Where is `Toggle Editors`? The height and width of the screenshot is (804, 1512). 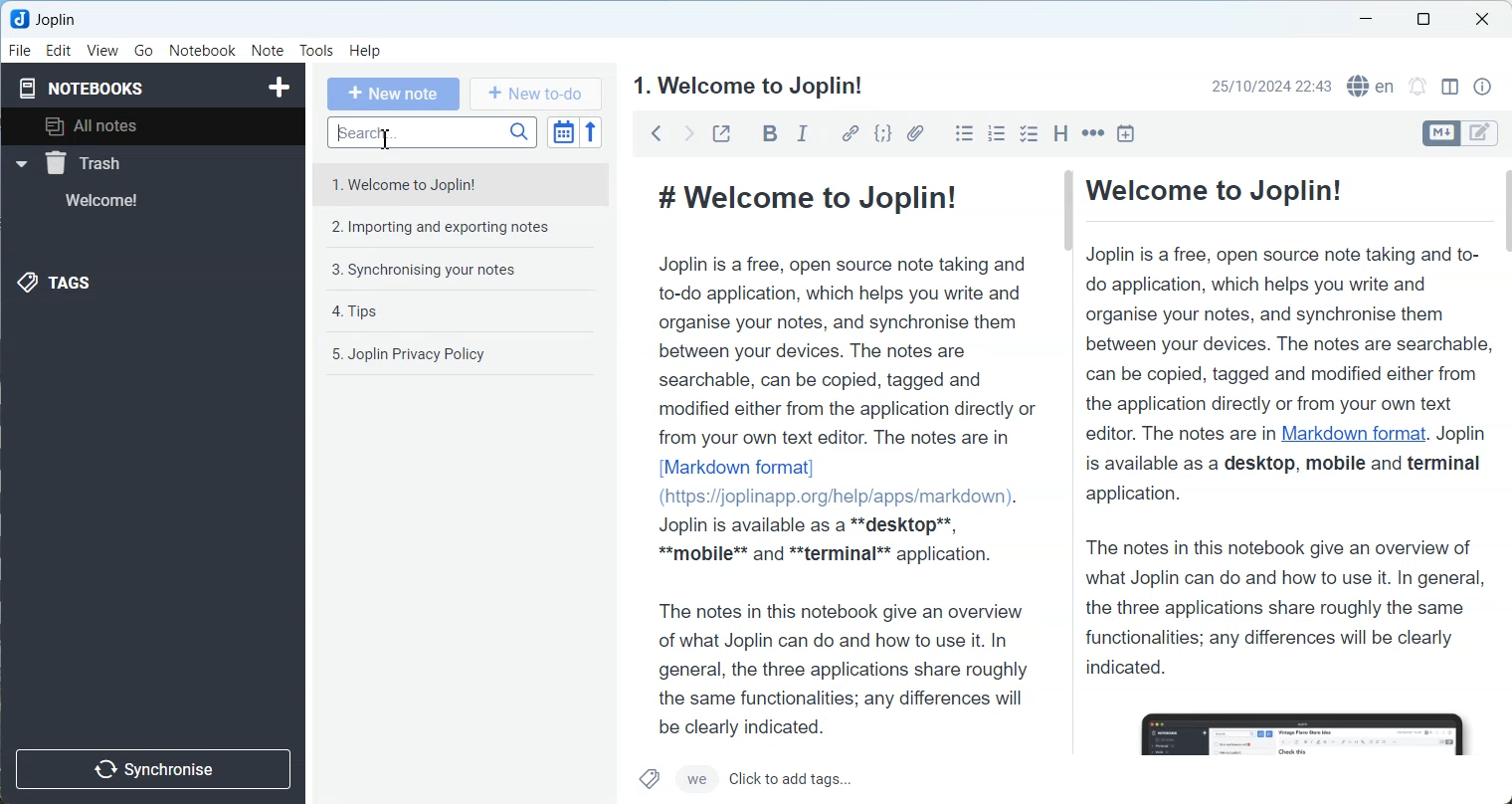 Toggle Editors is located at coordinates (1486, 133).